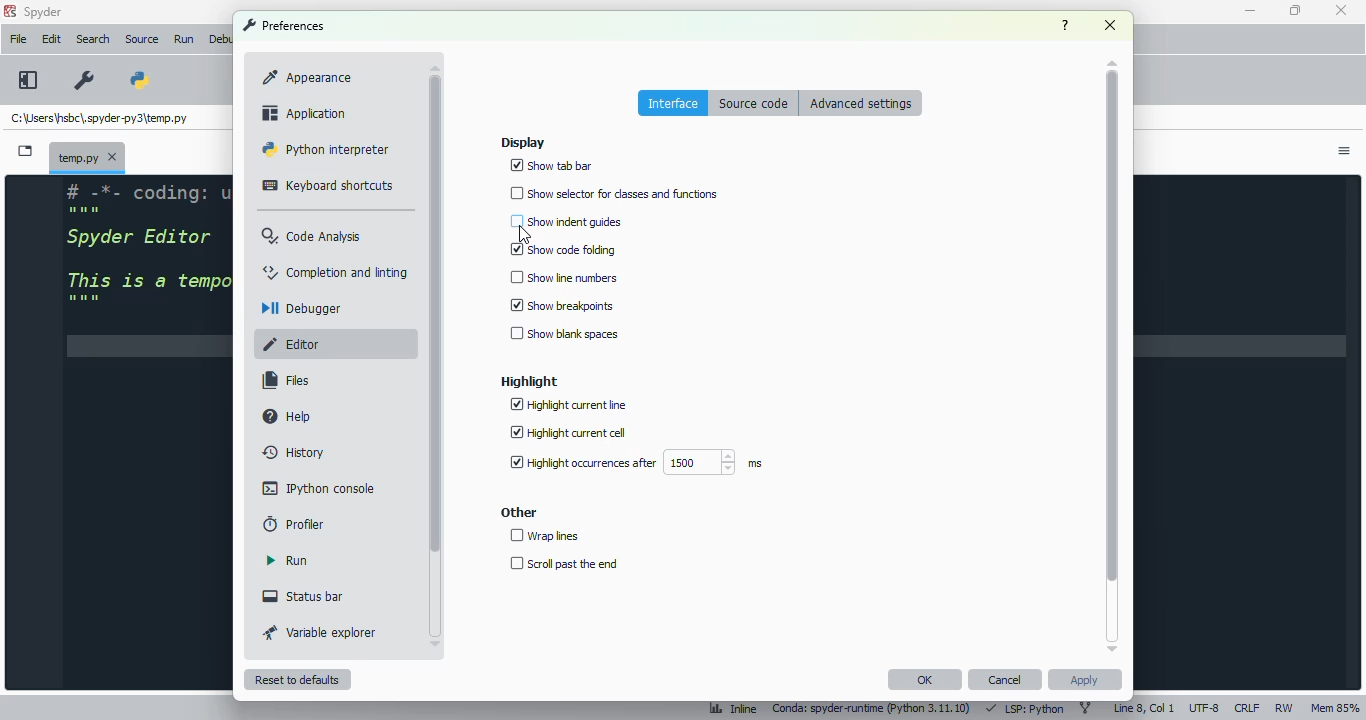 The width and height of the screenshot is (1366, 720). Describe the element at coordinates (432, 316) in the screenshot. I see `scrollbar` at that location.